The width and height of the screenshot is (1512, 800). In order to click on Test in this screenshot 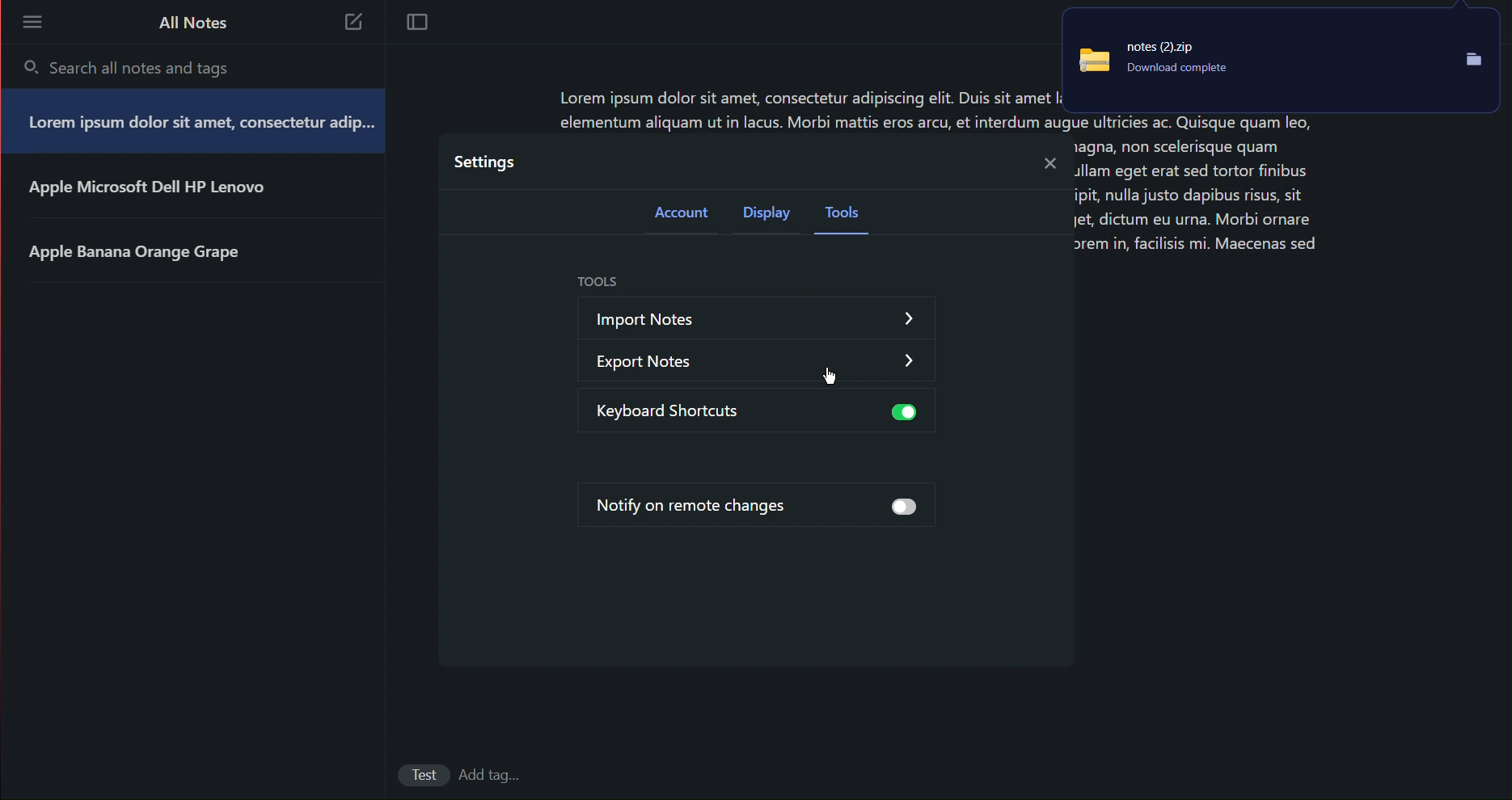, I will do `click(424, 776)`.